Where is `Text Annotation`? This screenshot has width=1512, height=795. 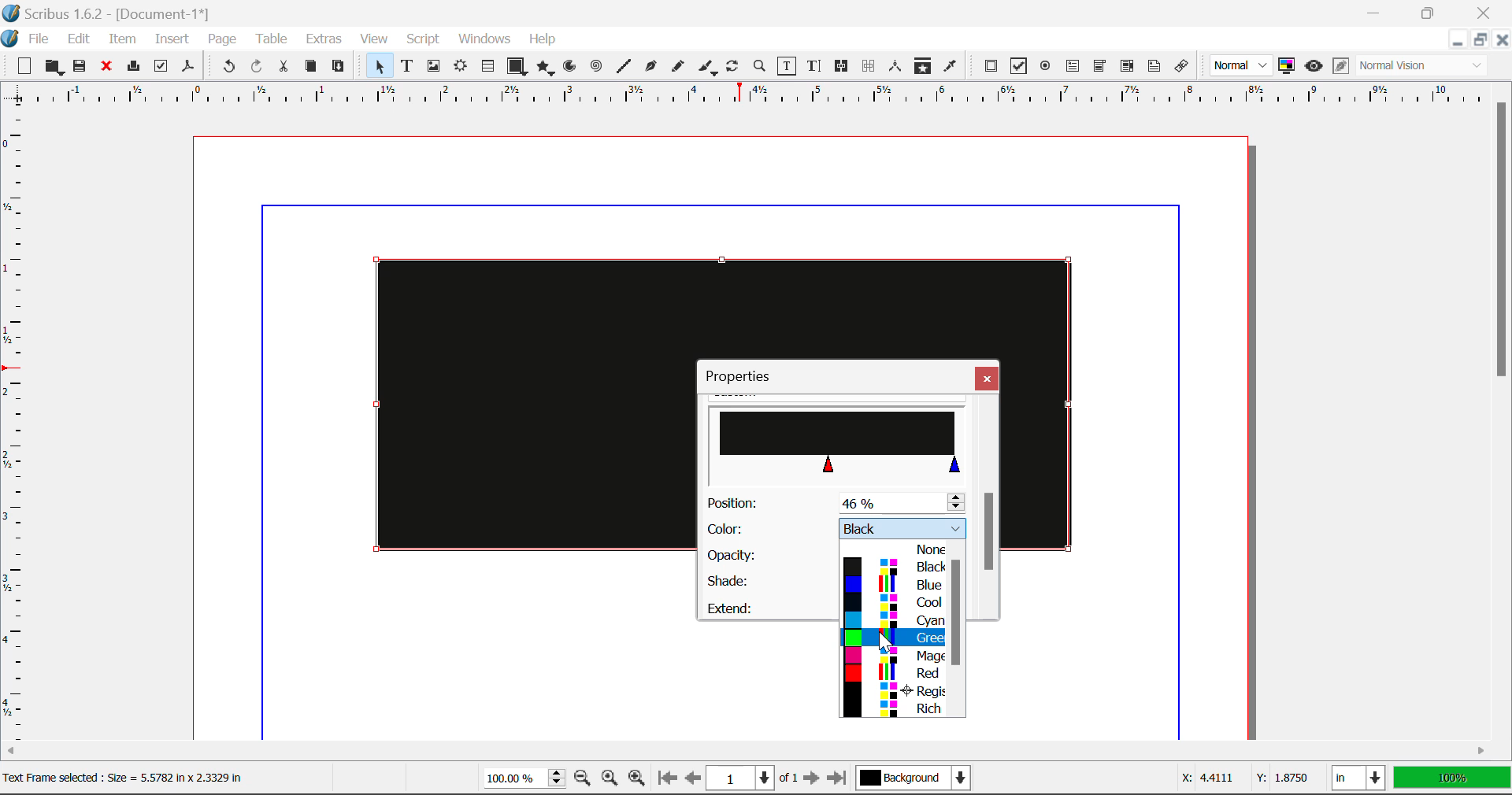
Text Annotation is located at coordinates (1157, 67).